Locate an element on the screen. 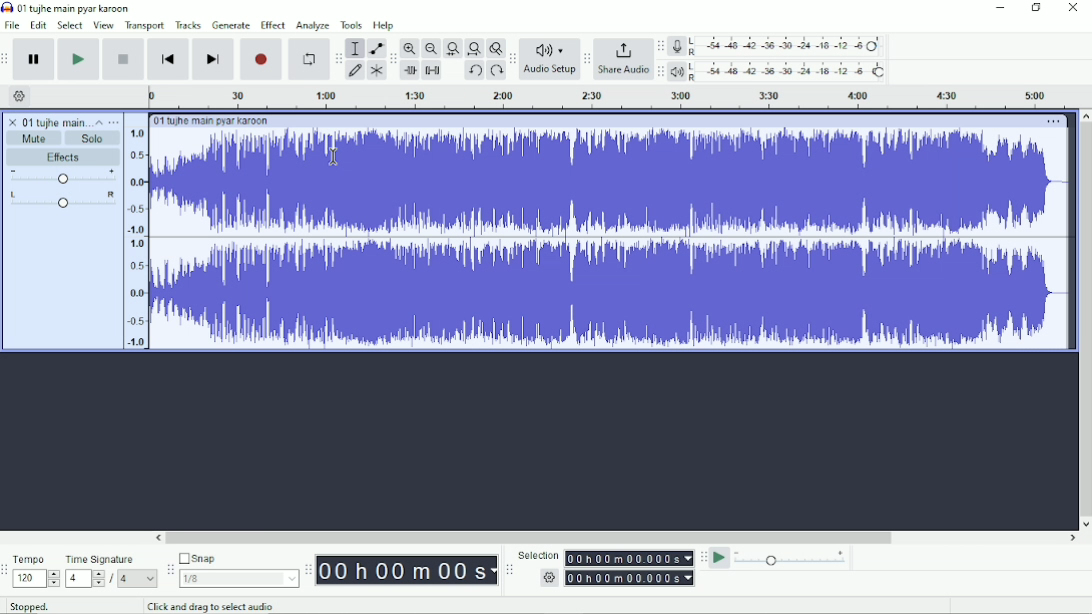 The width and height of the screenshot is (1092, 614). Tools is located at coordinates (351, 25).